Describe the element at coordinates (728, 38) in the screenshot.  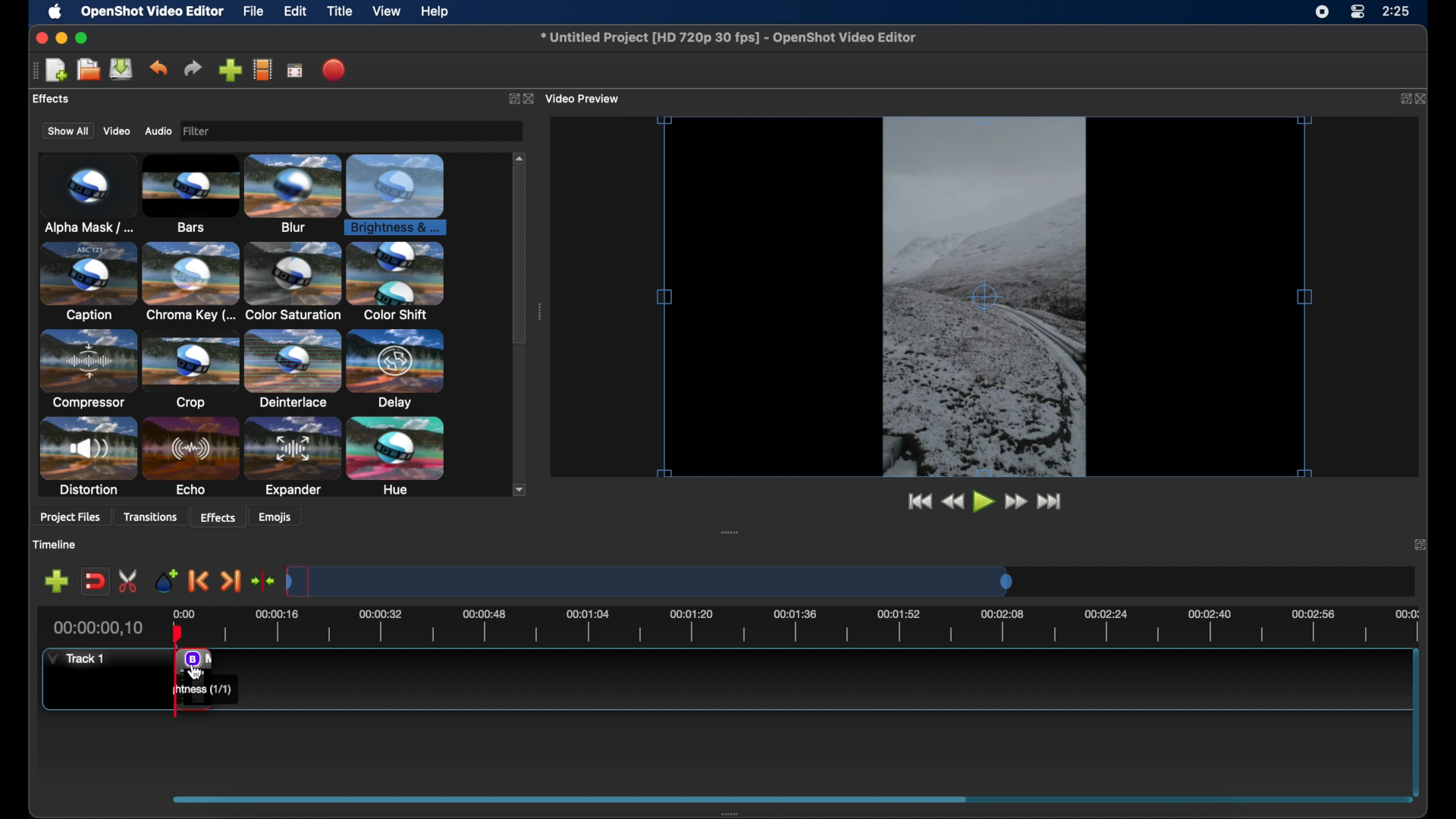
I see `file name` at that location.